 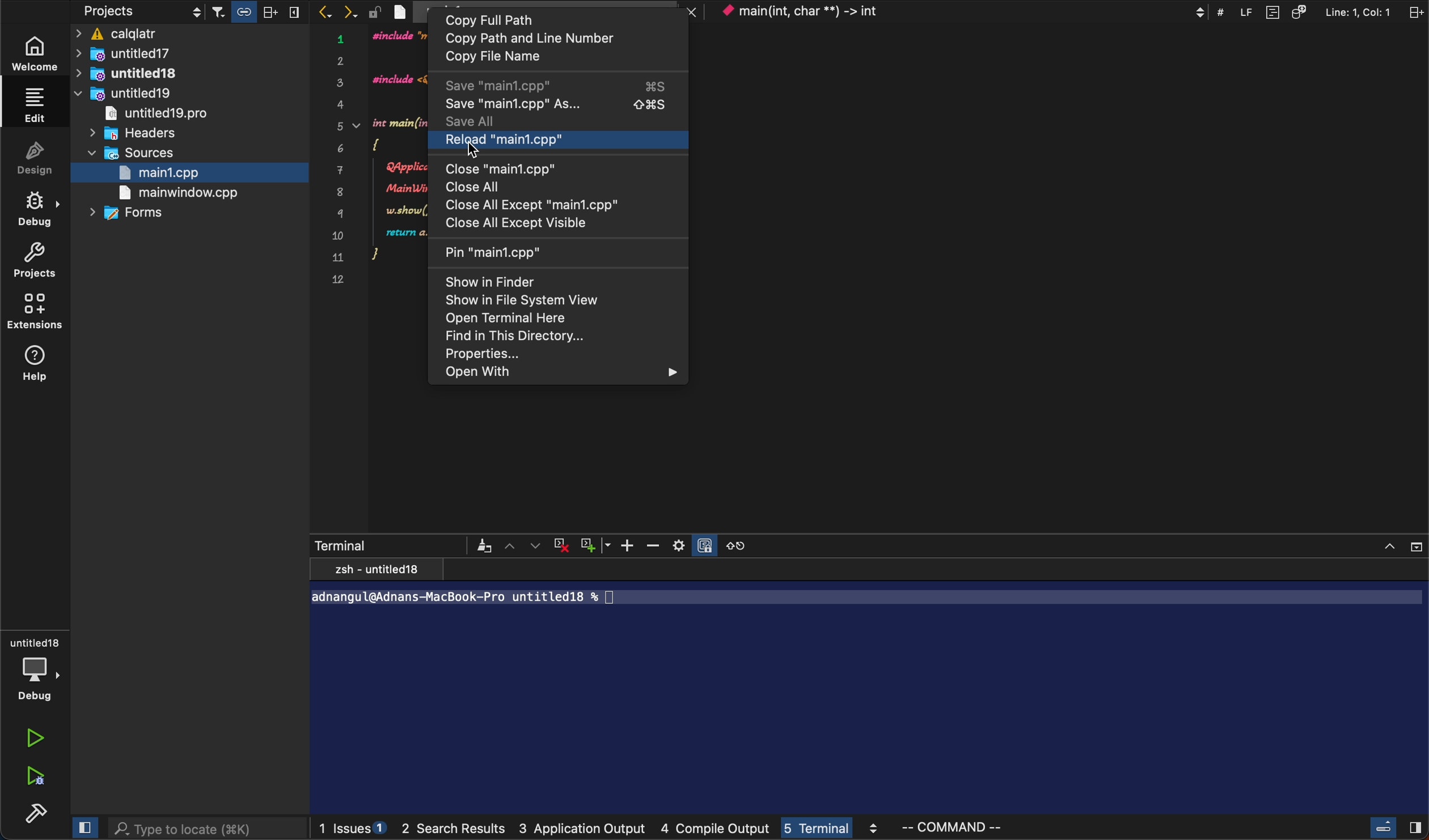 I want to click on save, so click(x=559, y=85).